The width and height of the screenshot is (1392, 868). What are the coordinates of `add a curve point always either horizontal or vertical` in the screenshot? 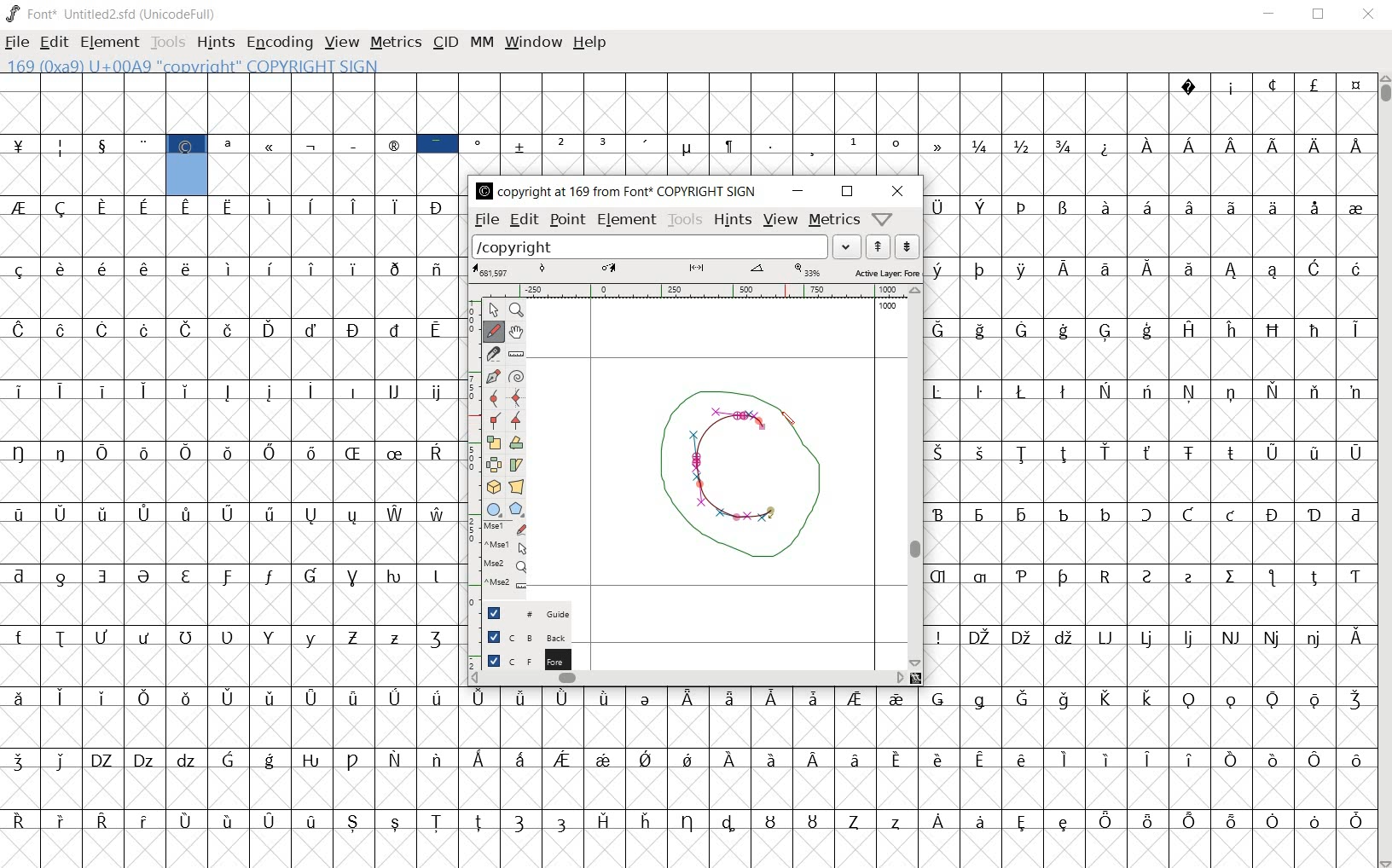 It's located at (519, 398).